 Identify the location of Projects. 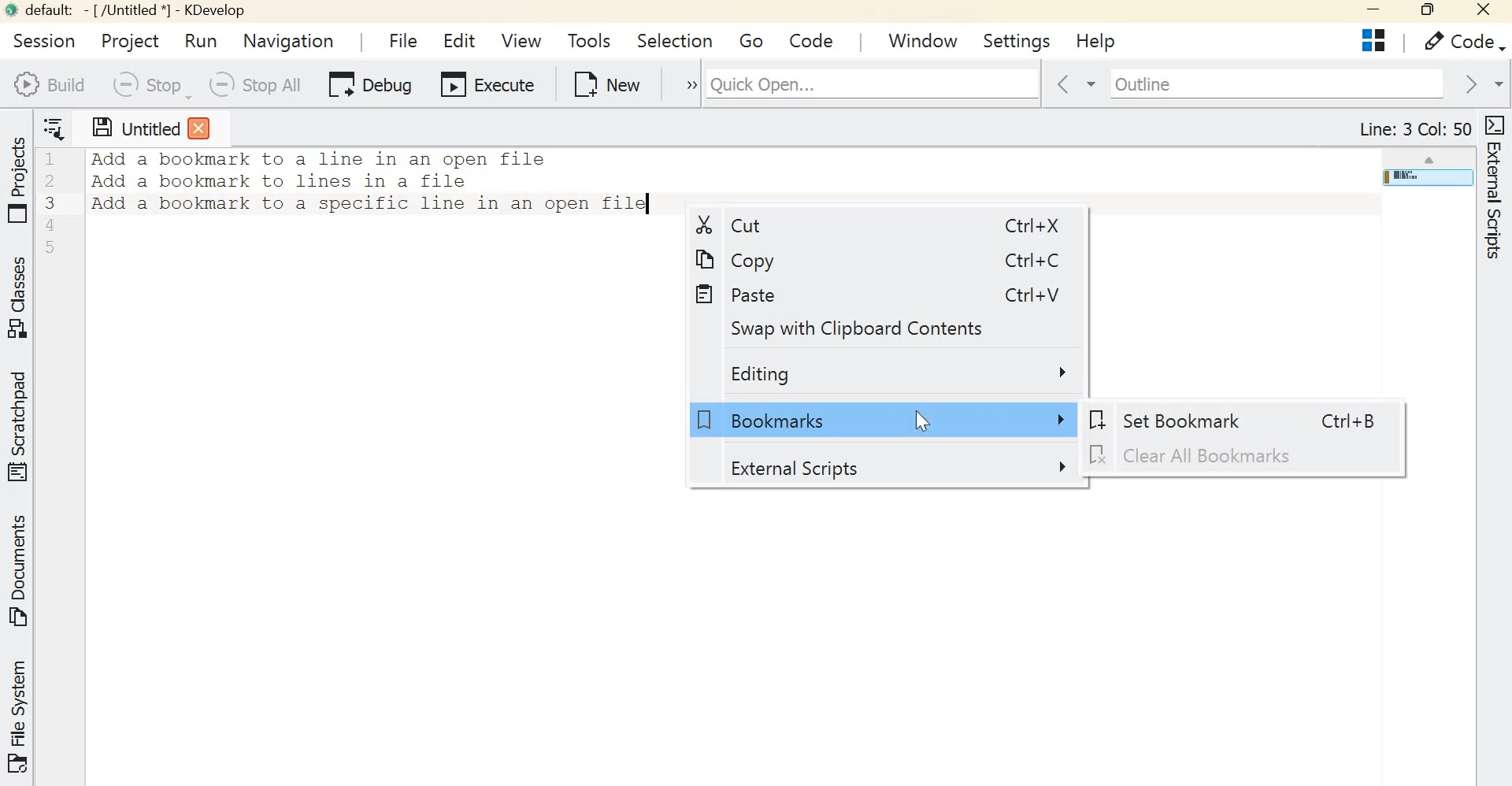
(1377, 42).